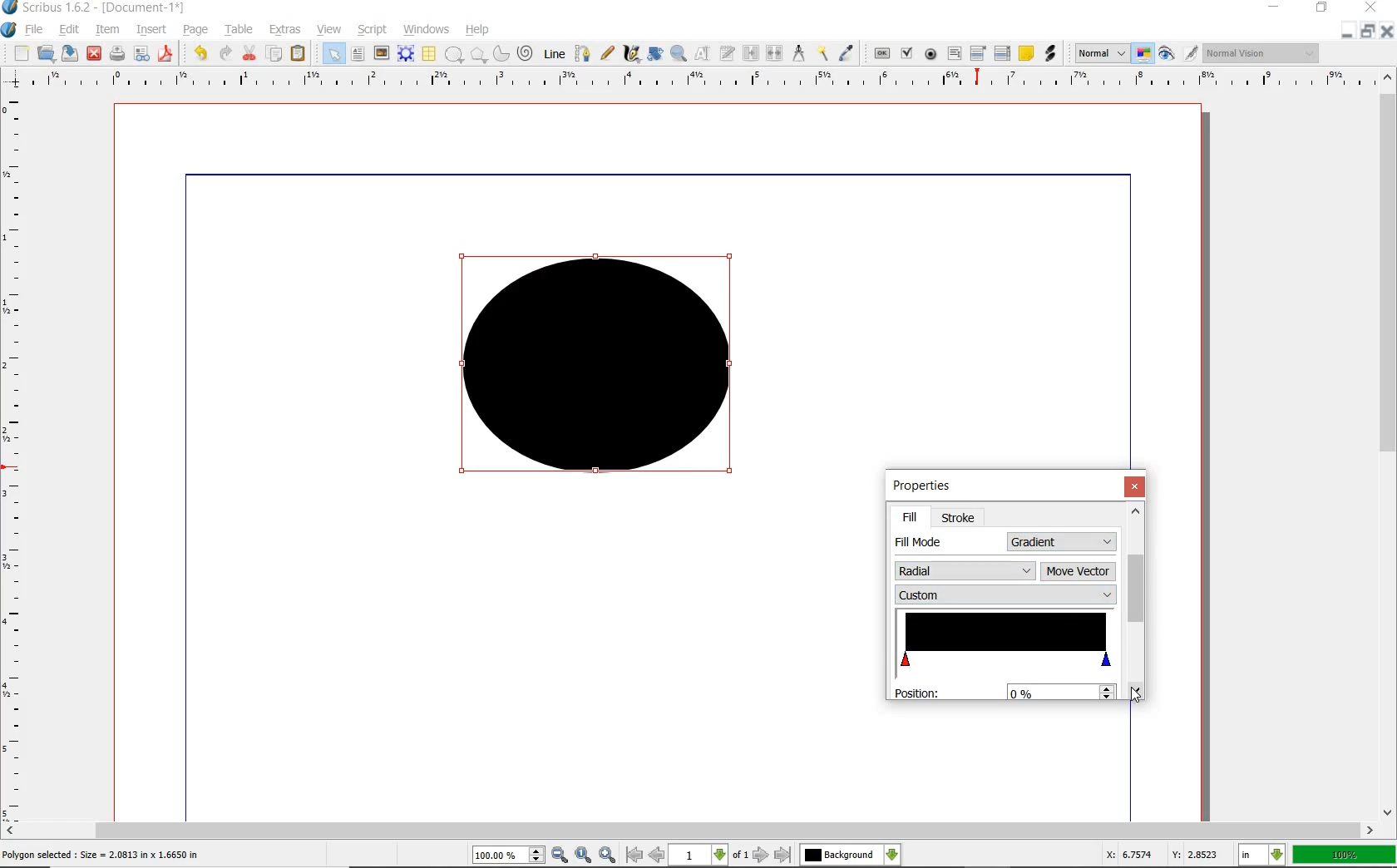  Describe the element at coordinates (702, 52) in the screenshot. I see `EDIT CONTENTS OF FRAME` at that location.